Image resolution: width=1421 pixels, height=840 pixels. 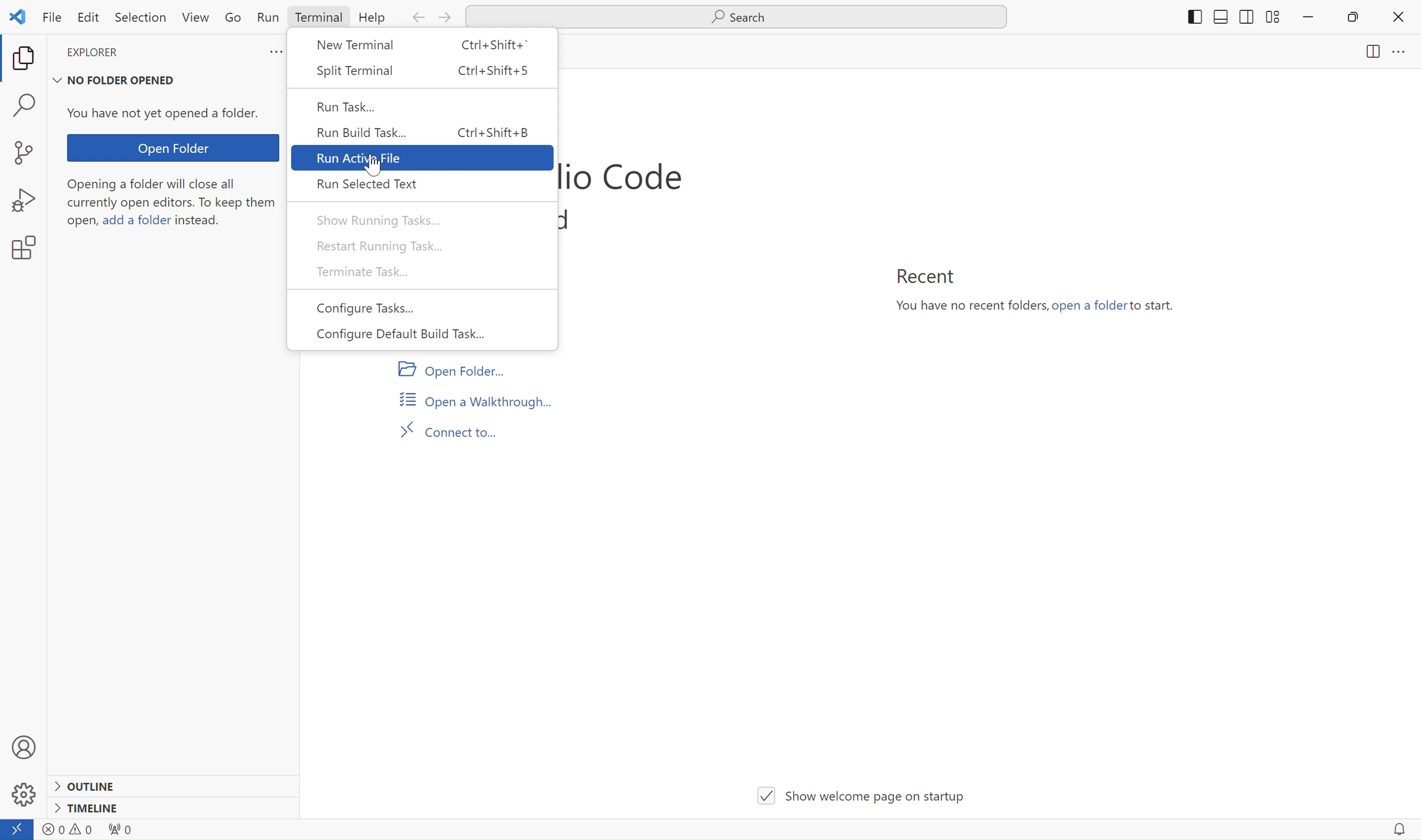 What do you see at coordinates (143, 19) in the screenshot?
I see `Selection` at bounding box center [143, 19].